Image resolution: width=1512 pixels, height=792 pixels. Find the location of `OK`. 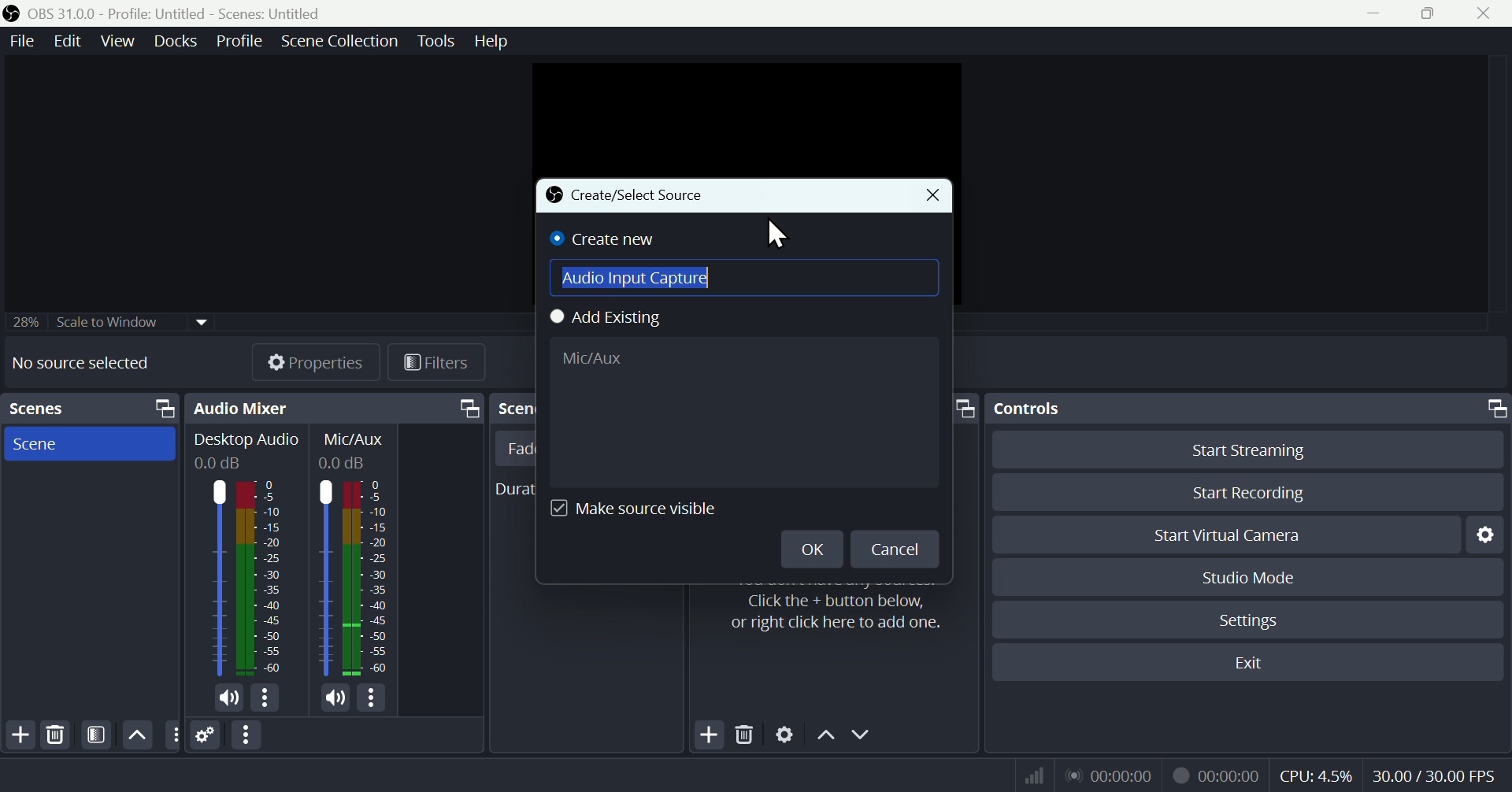

OK is located at coordinates (809, 548).